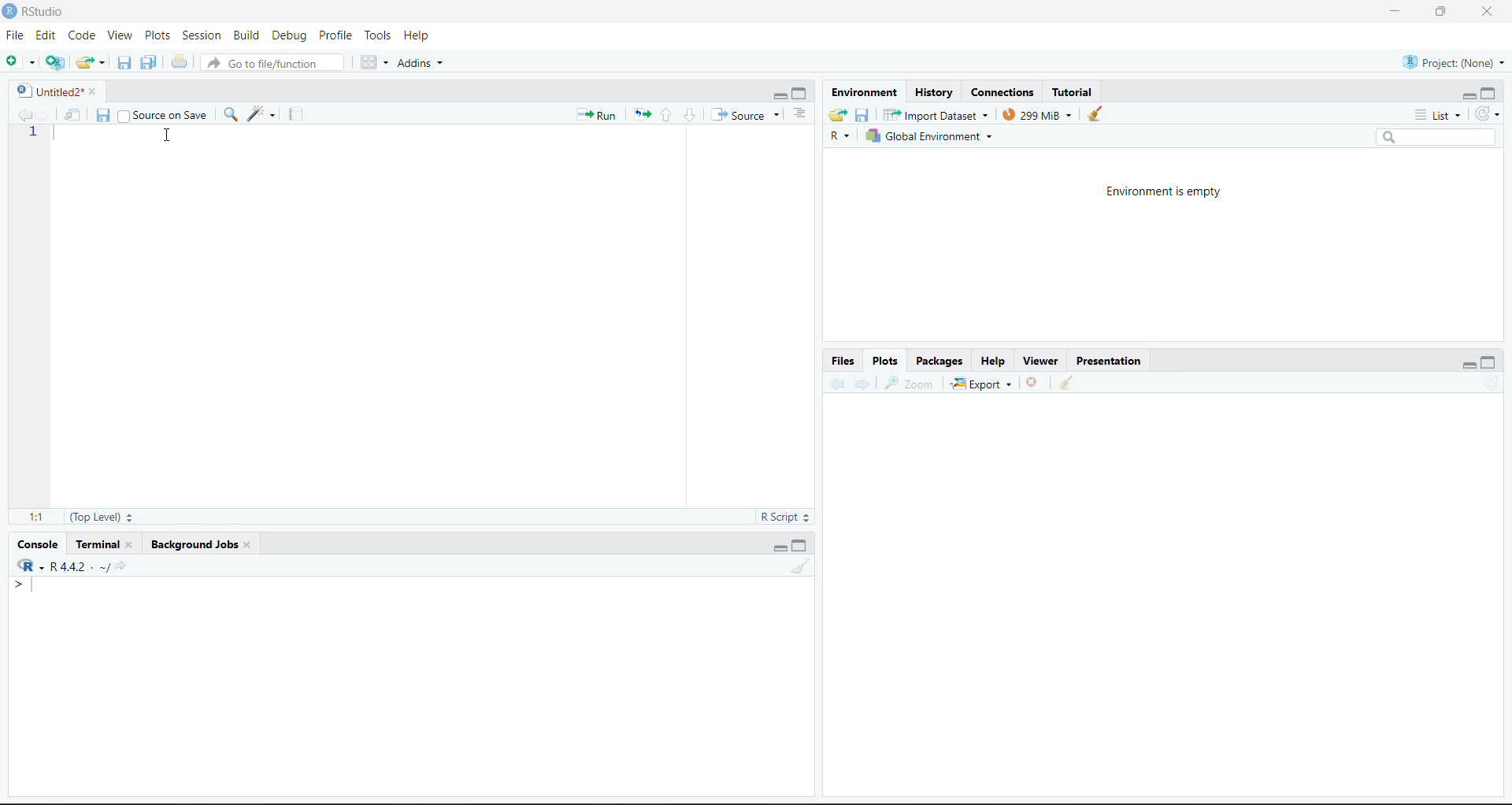  I want to click on close, so click(246, 545).